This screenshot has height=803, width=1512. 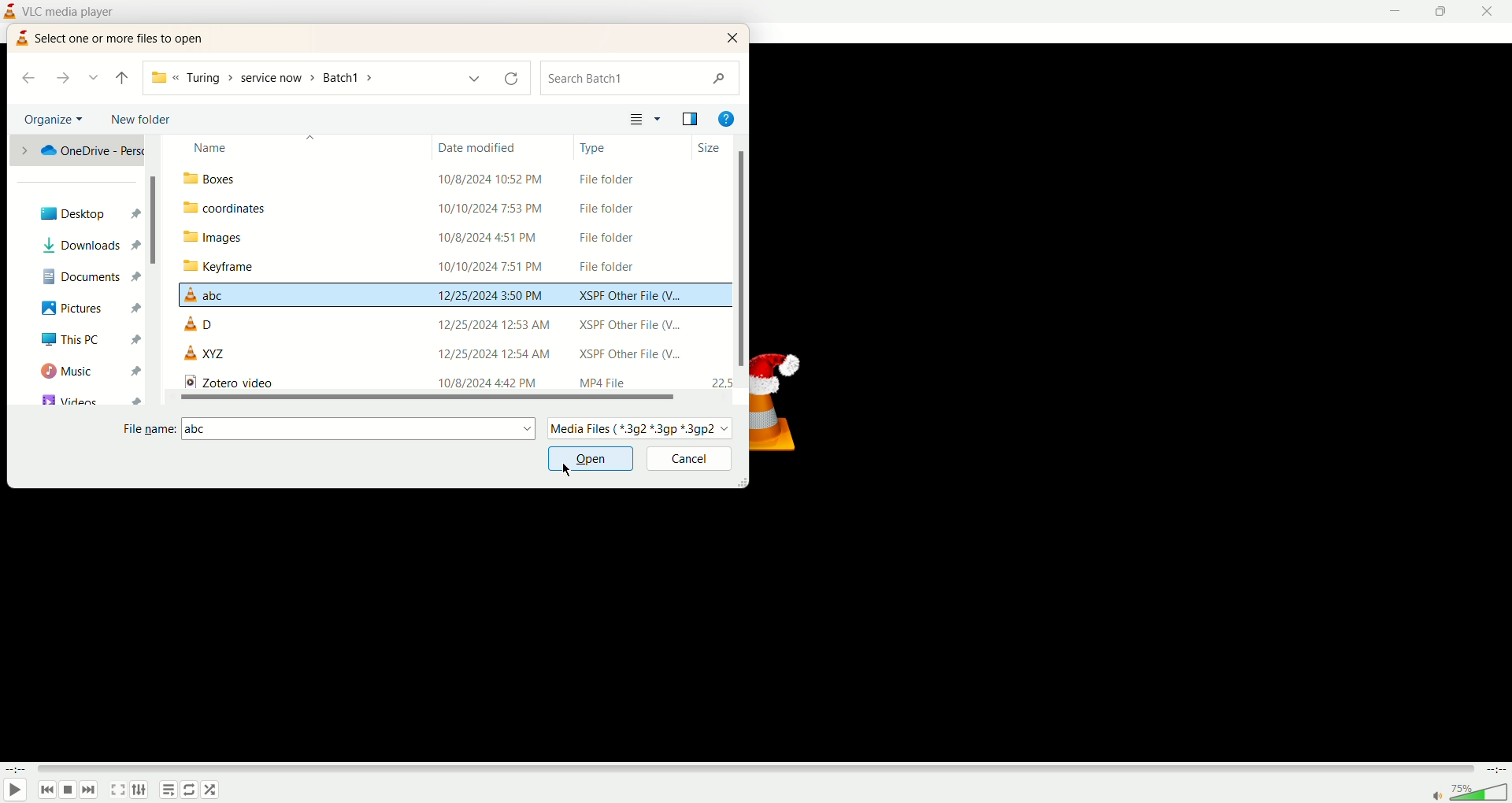 I want to click on folder, so click(x=453, y=207).